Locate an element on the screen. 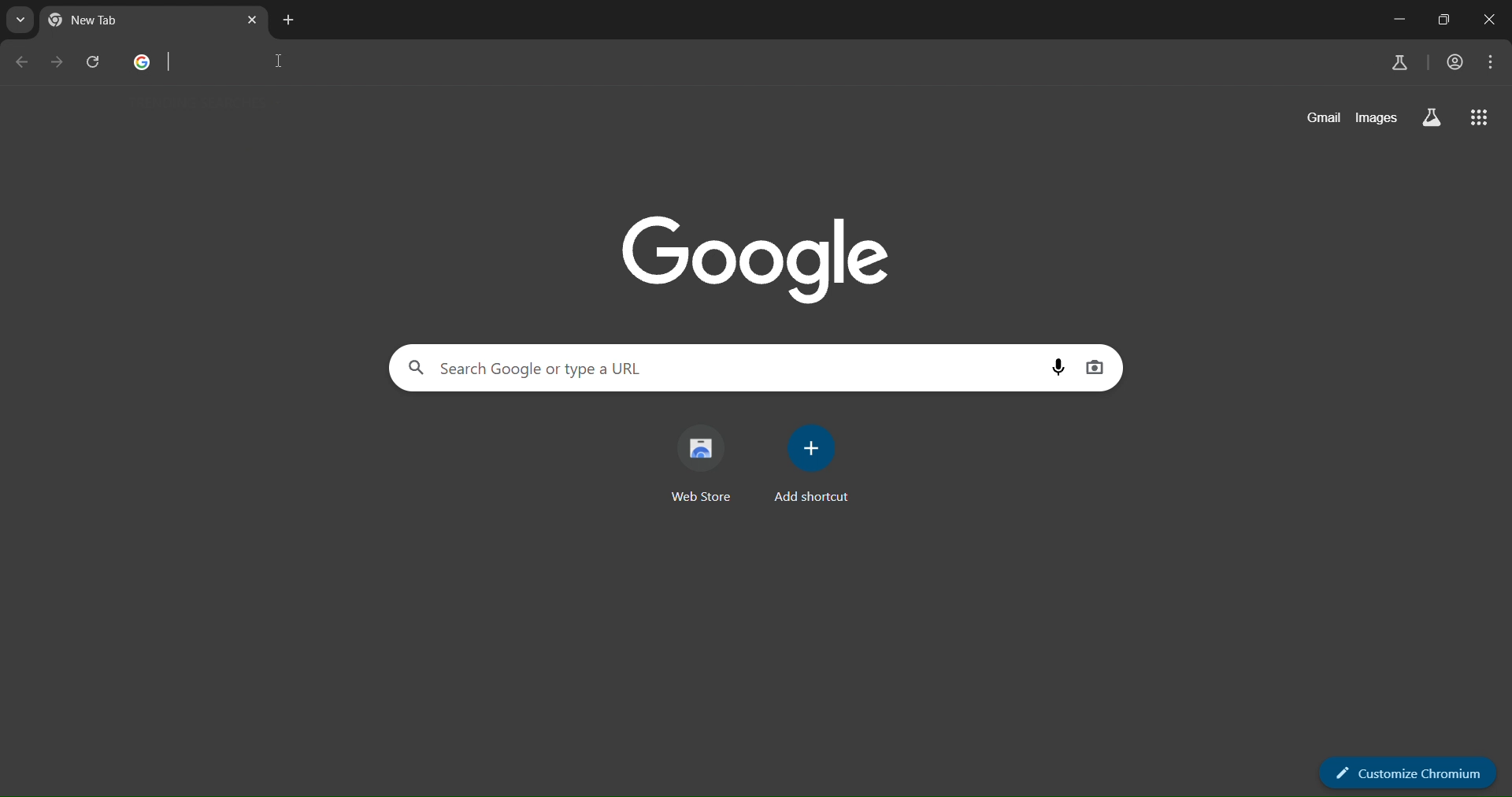 The width and height of the screenshot is (1512, 797). Google is located at coordinates (758, 258).